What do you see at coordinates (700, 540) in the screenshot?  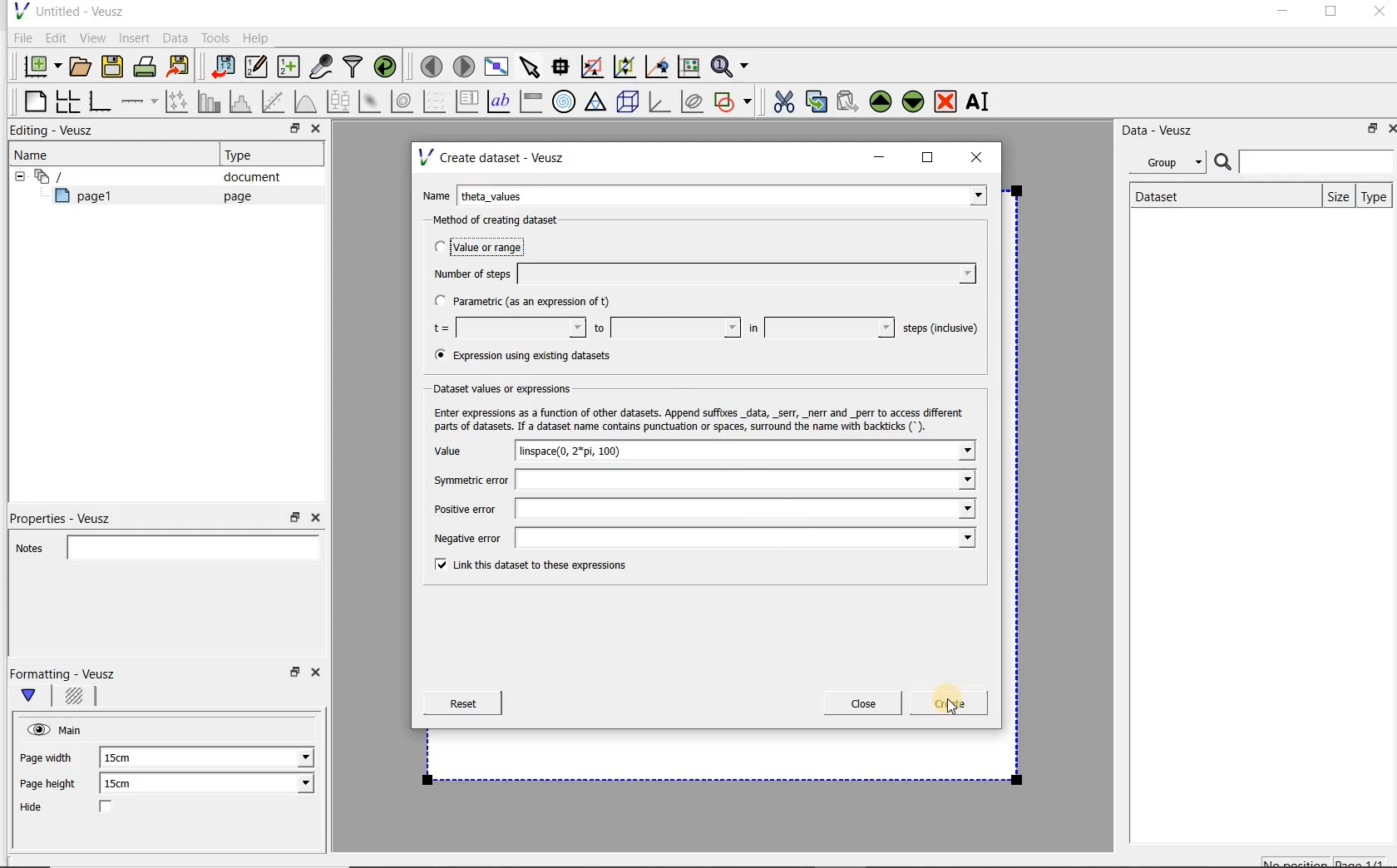 I see `Negative error ` at bounding box center [700, 540].